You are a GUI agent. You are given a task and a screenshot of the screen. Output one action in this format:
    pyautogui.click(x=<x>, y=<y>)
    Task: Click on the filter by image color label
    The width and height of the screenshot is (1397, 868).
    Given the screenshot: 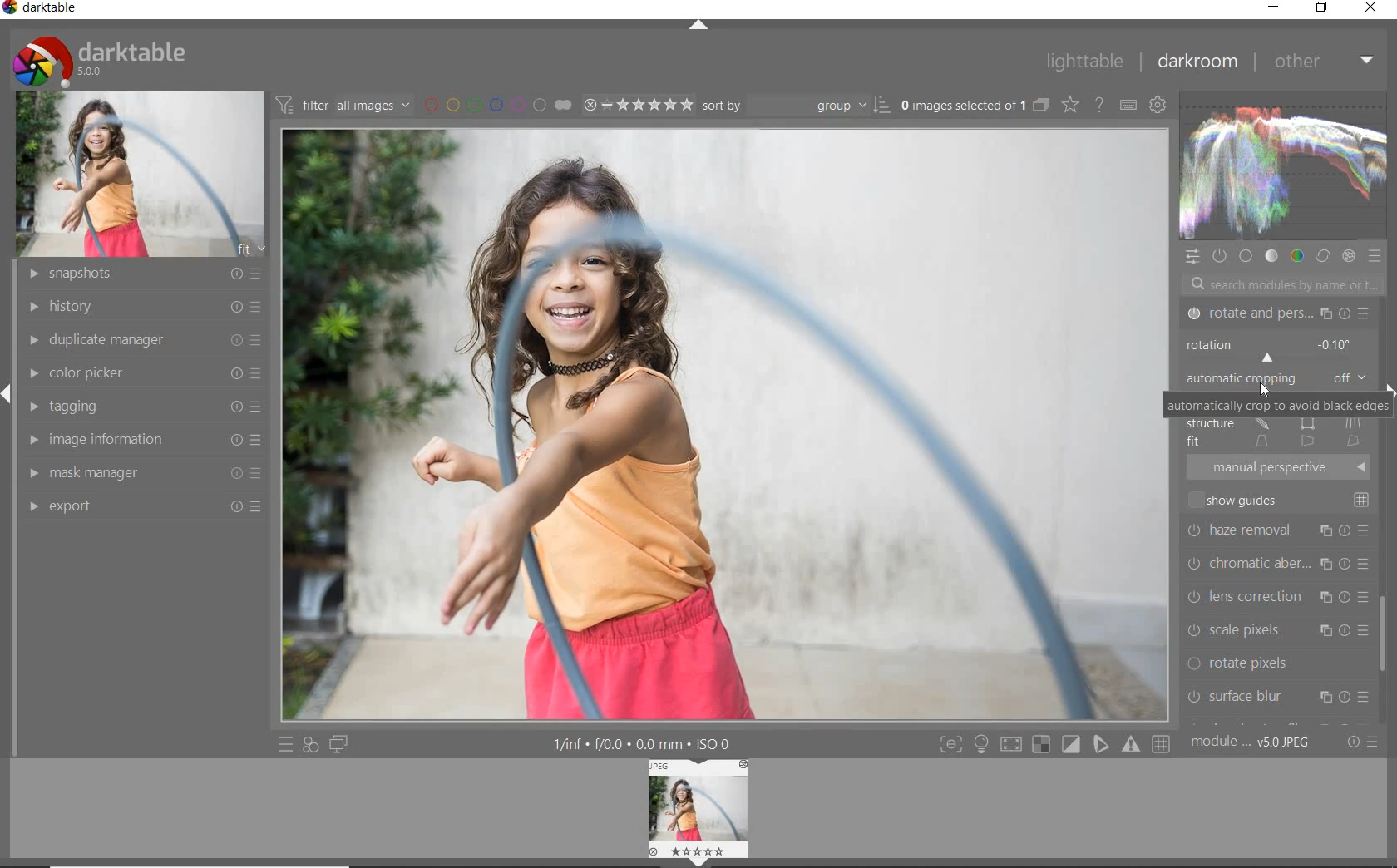 What is the action you would take?
    pyautogui.click(x=497, y=104)
    